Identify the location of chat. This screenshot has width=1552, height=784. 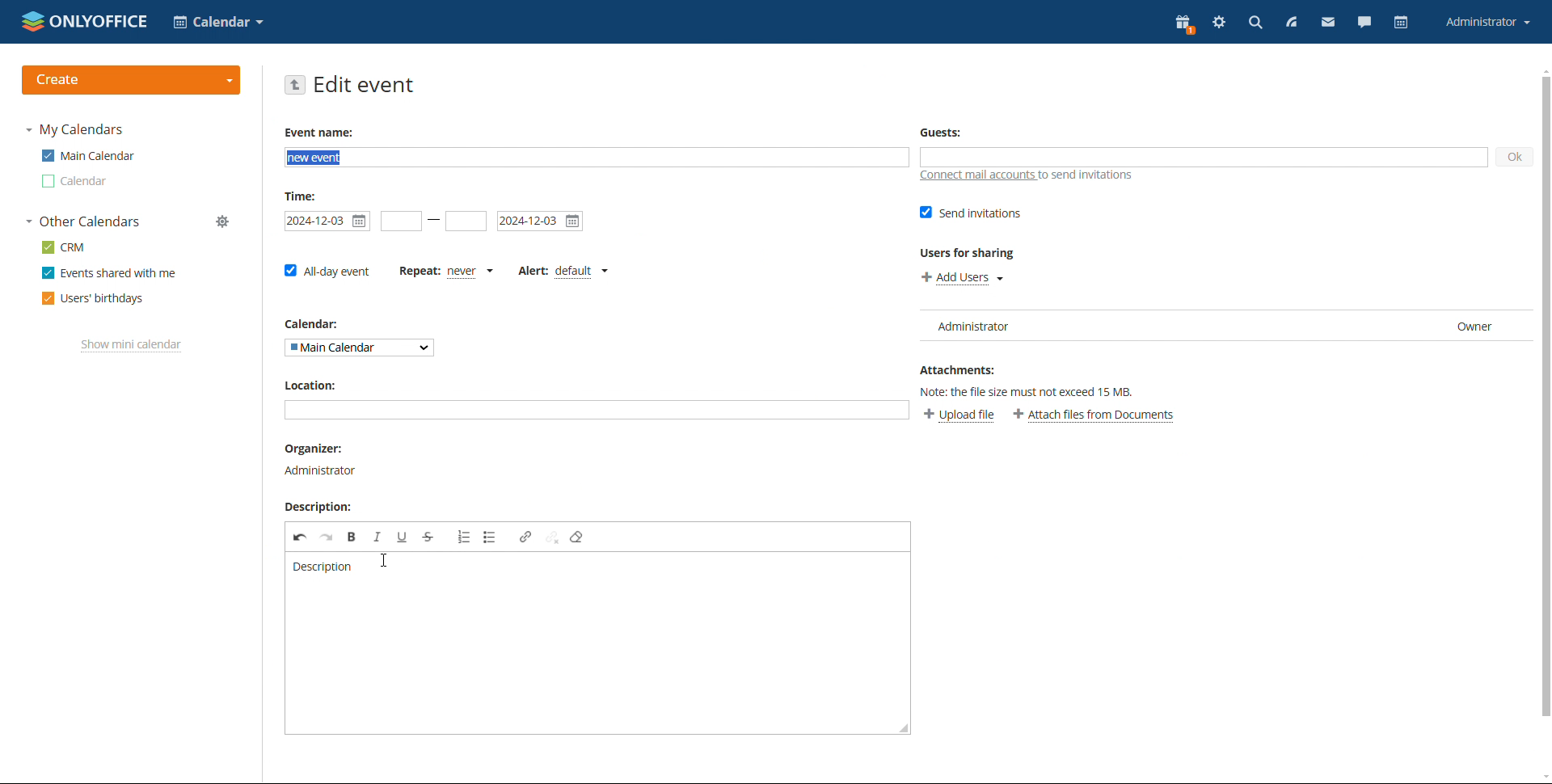
(1365, 23).